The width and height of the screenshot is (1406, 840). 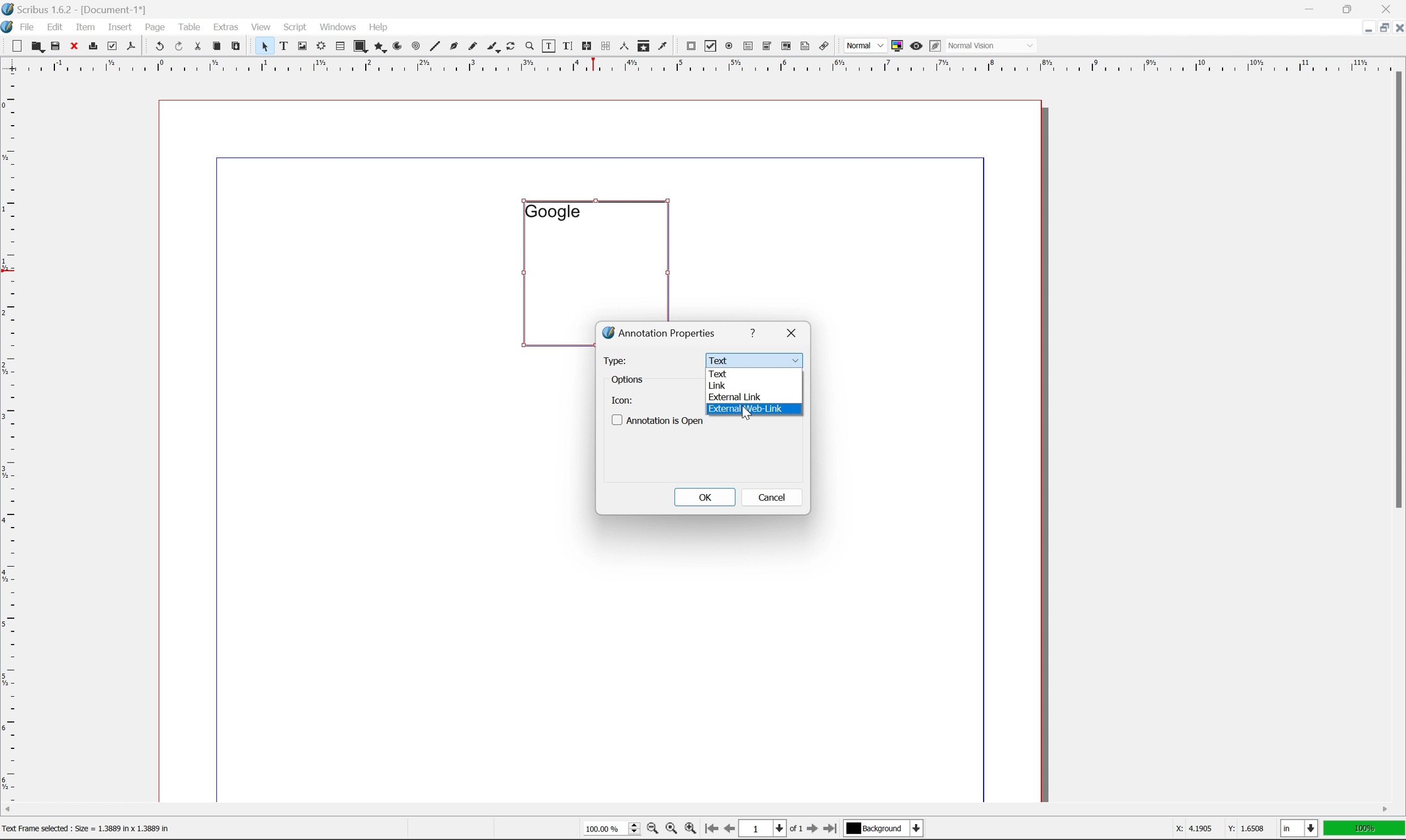 I want to click on pdf combo box, so click(x=766, y=47).